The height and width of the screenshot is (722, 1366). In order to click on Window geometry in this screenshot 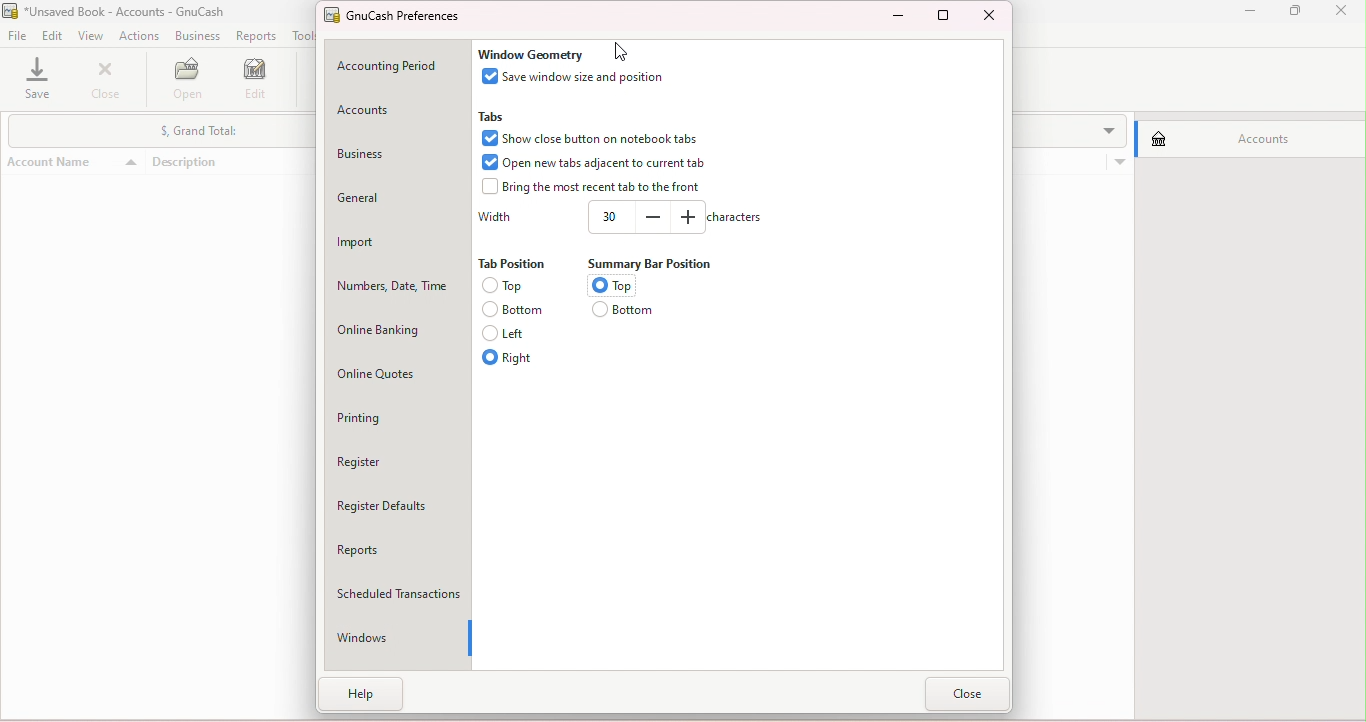, I will do `click(539, 51)`.